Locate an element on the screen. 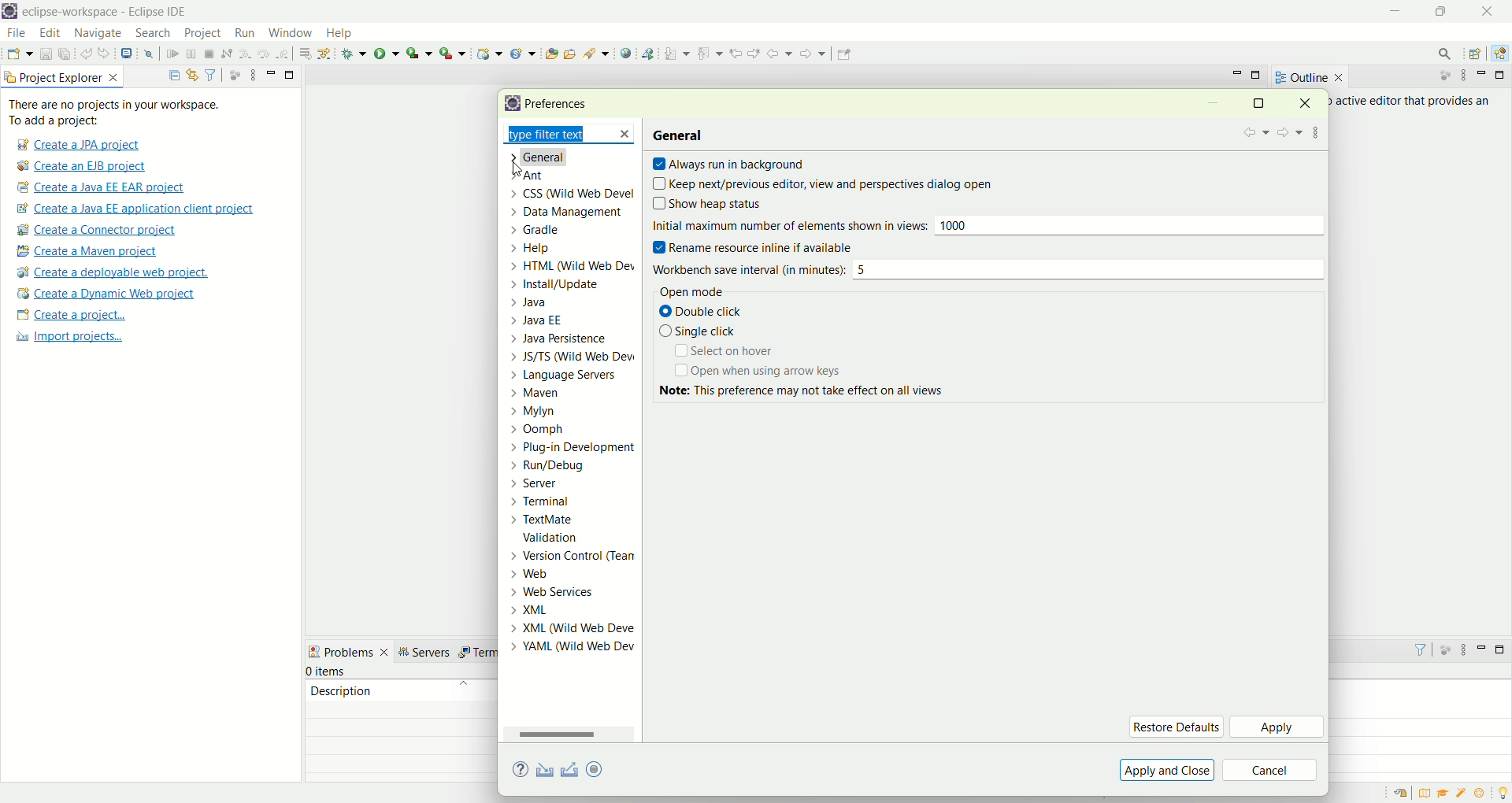 This screenshot has width=1512, height=803. version control is located at coordinates (574, 557).